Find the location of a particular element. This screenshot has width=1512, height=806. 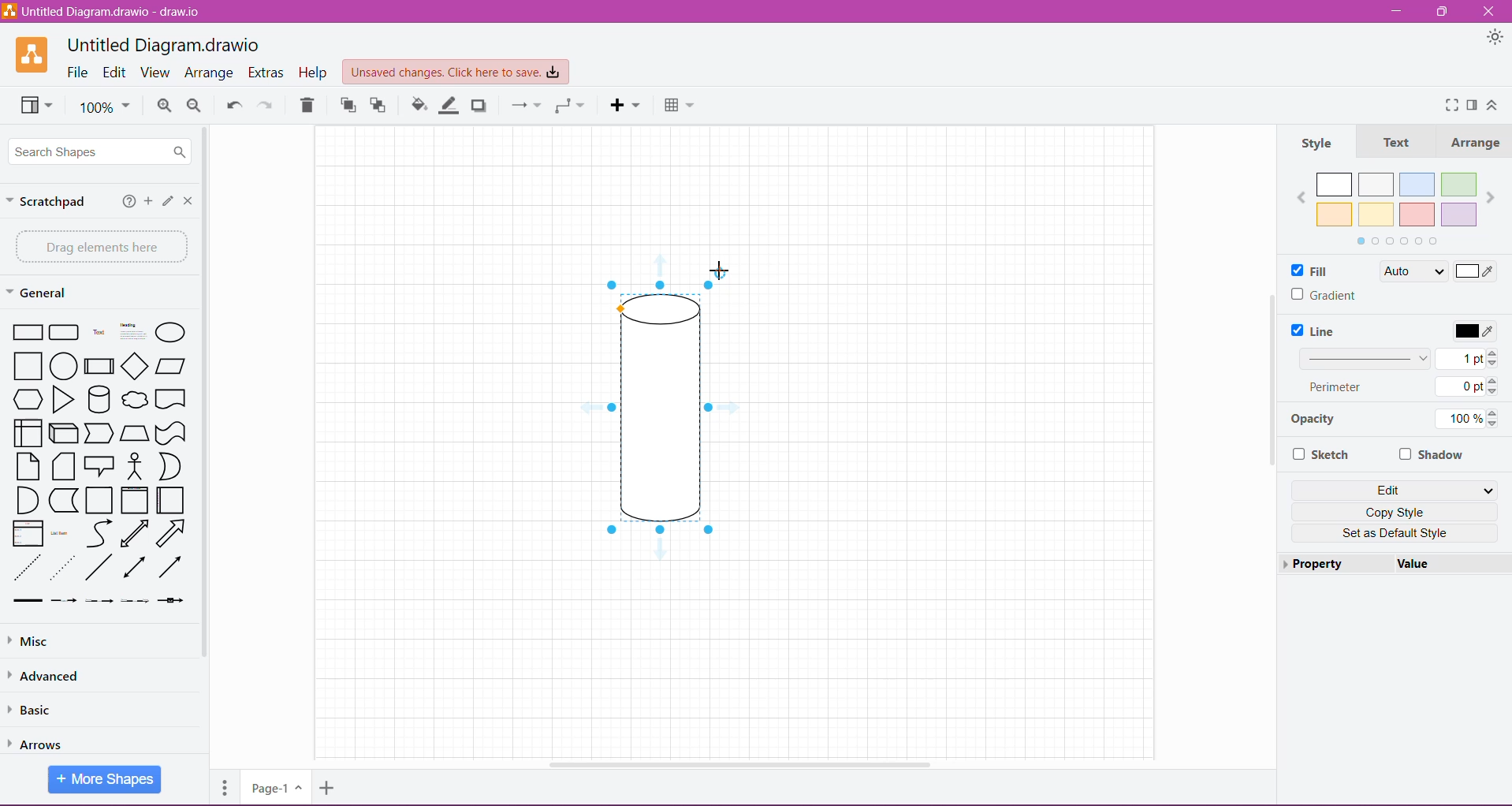

Arrows is located at coordinates (45, 741).